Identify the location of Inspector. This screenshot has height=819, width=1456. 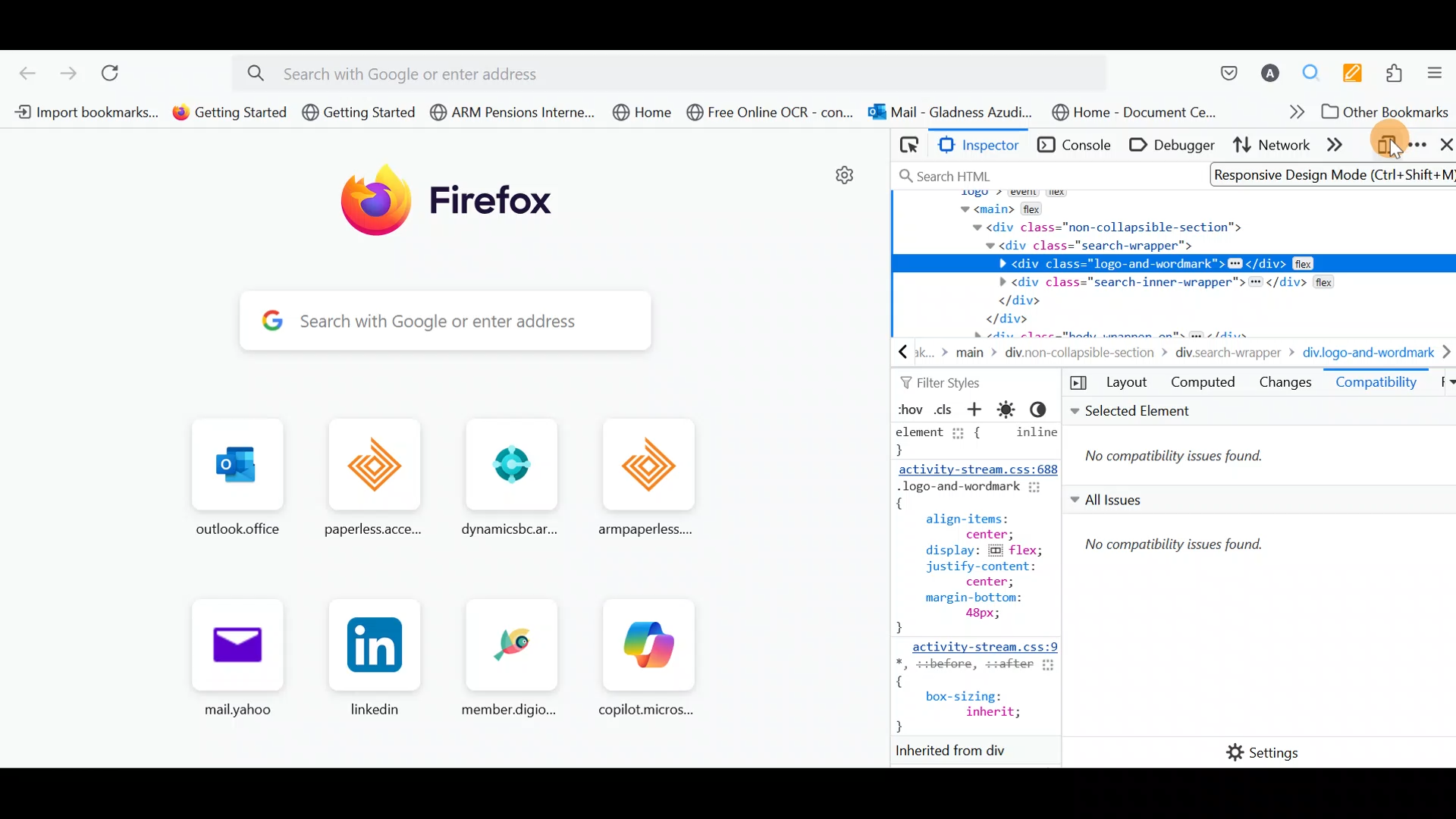
(977, 146).